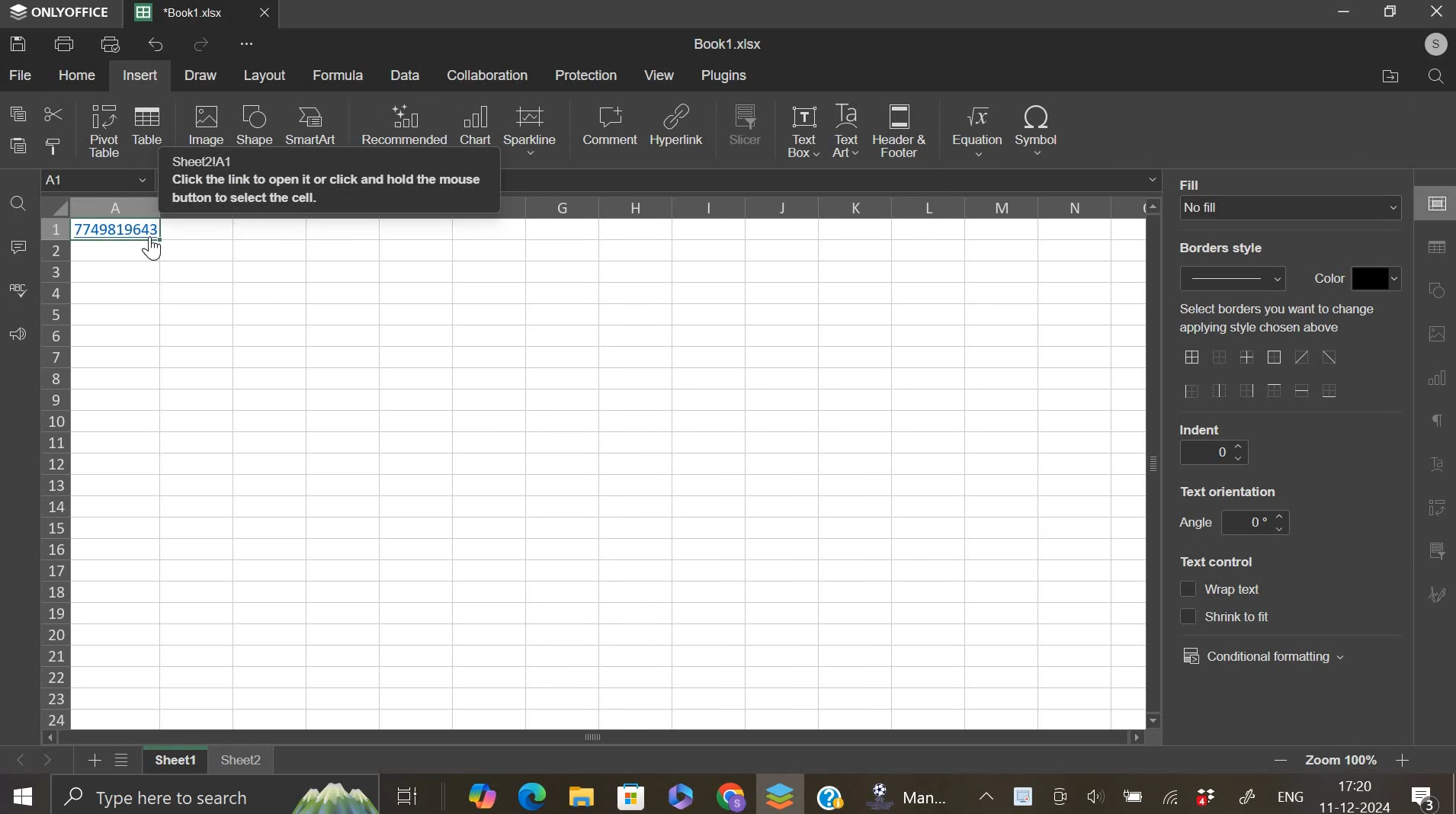  I want to click on find, so click(1432, 76).